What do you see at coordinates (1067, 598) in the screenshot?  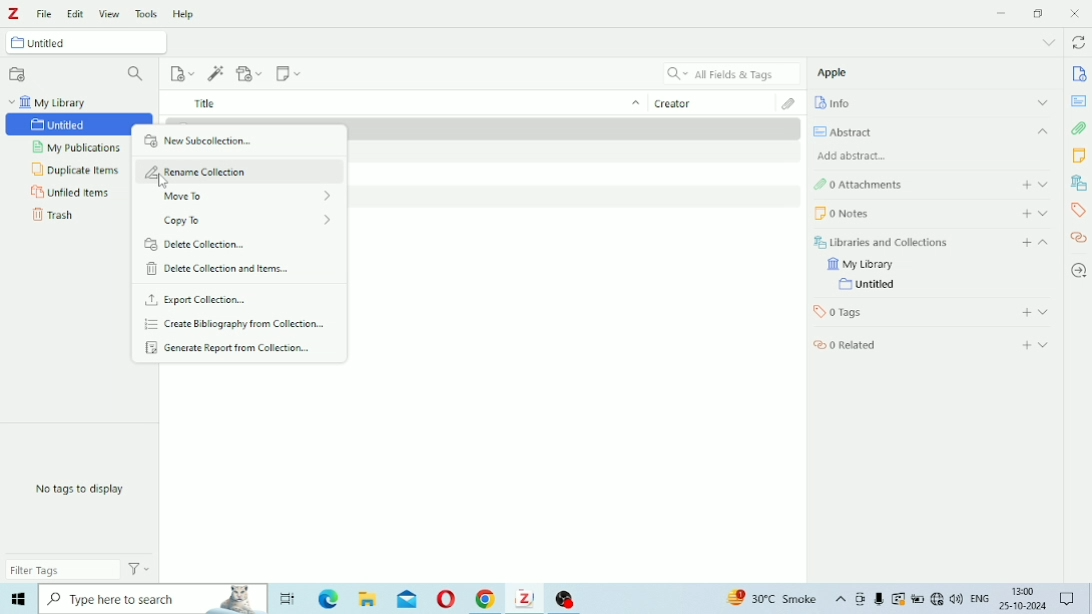 I see `` at bounding box center [1067, 598].